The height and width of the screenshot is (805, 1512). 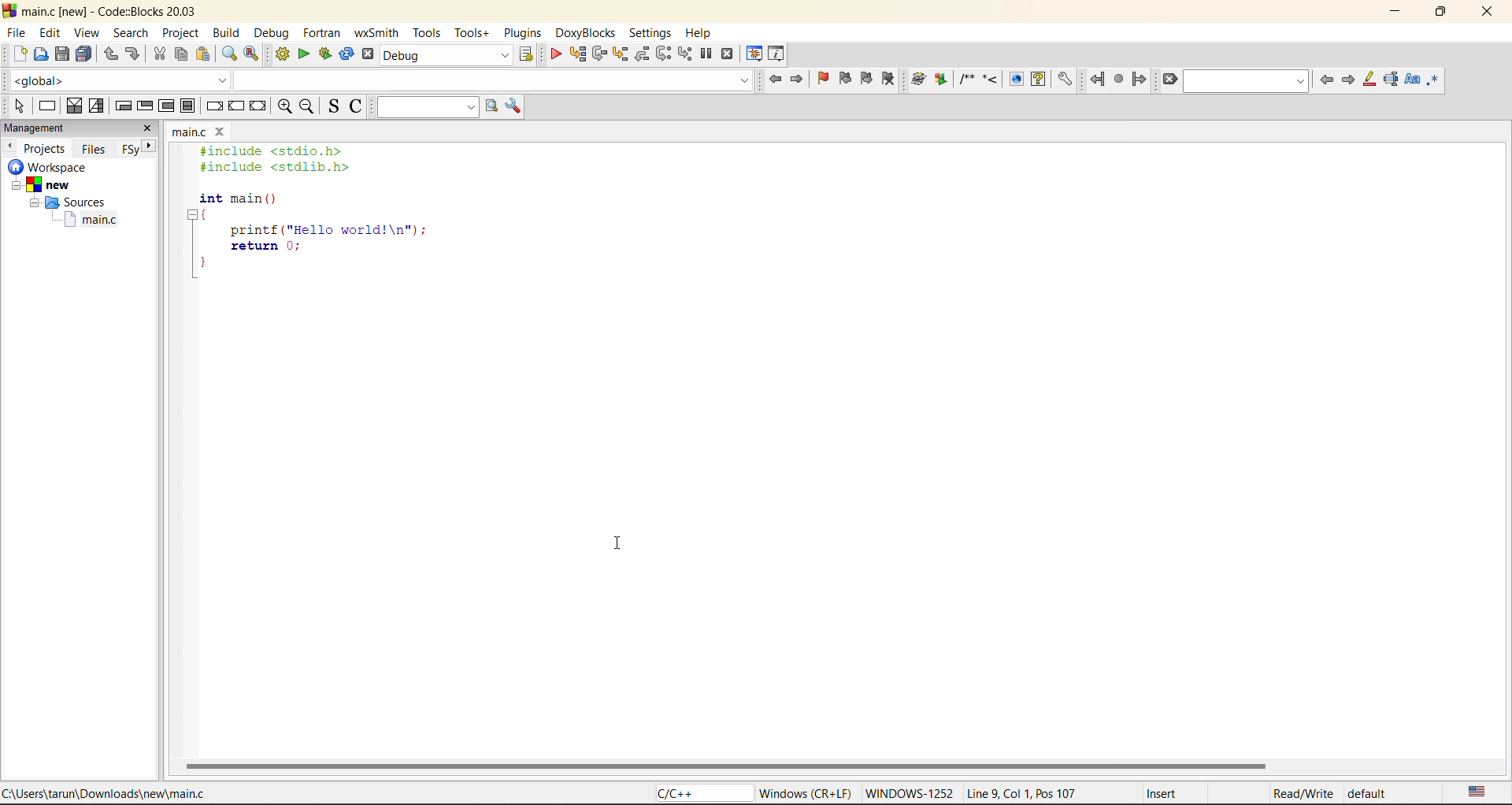 I want to click on save everytime, so click(x=83, y=54).